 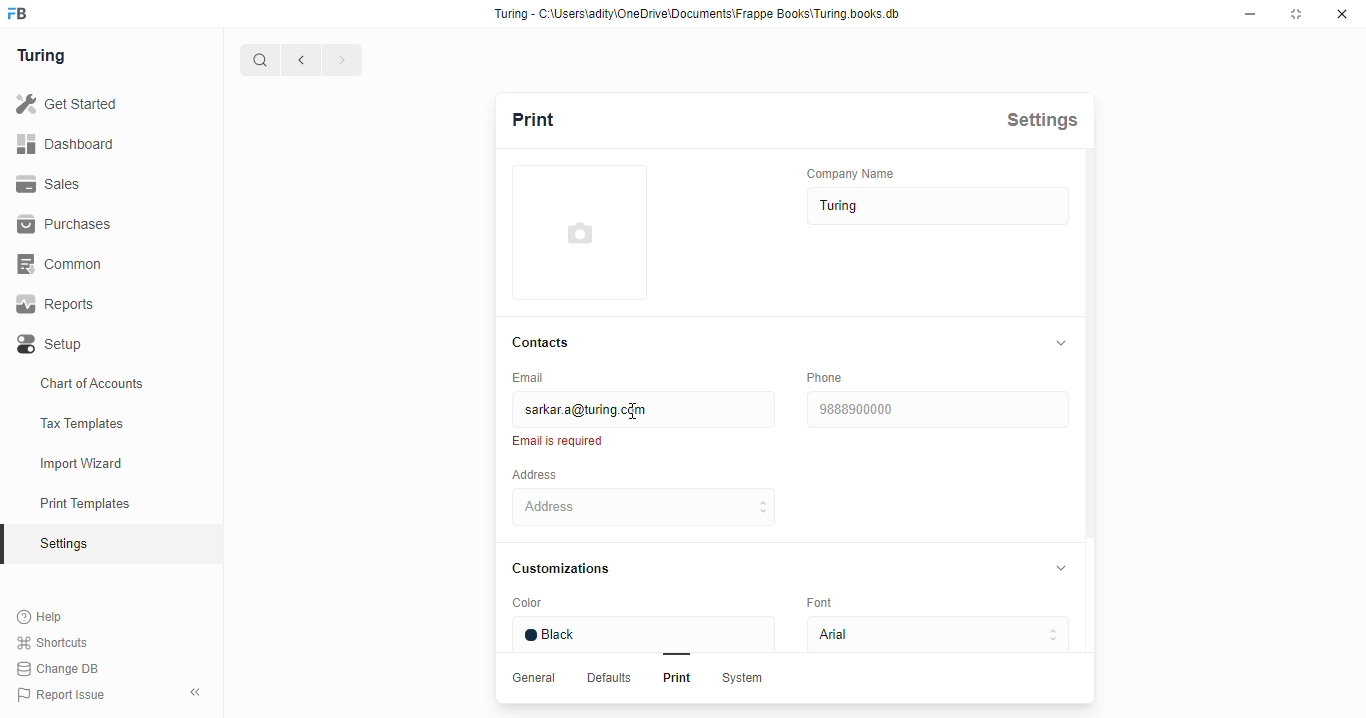 What do you see at coordinates (830, 604) in the screenshot?
I see `Font` at bounding box center [830, 604].